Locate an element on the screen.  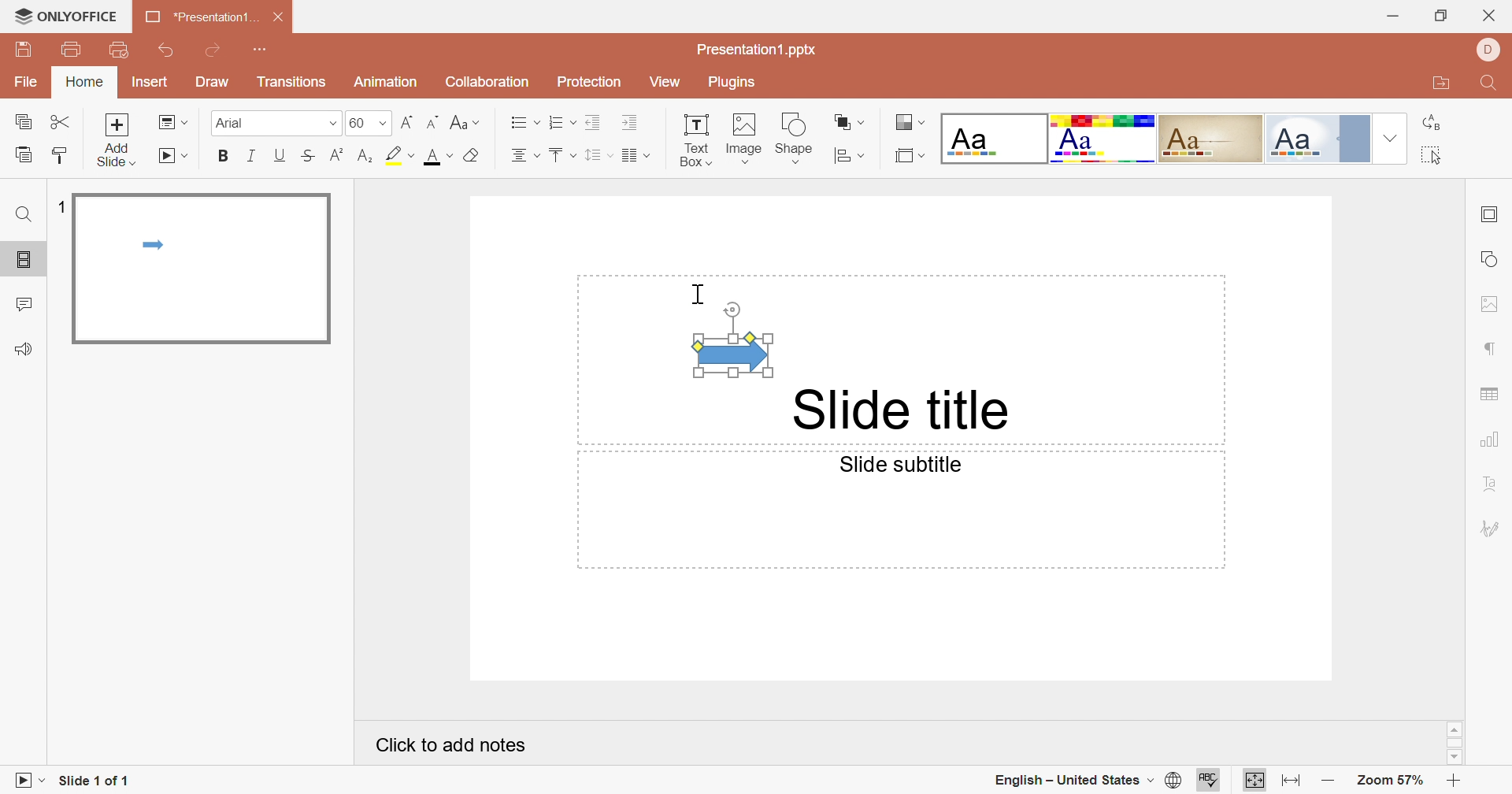
Animation is located at coordinates (383, 82).